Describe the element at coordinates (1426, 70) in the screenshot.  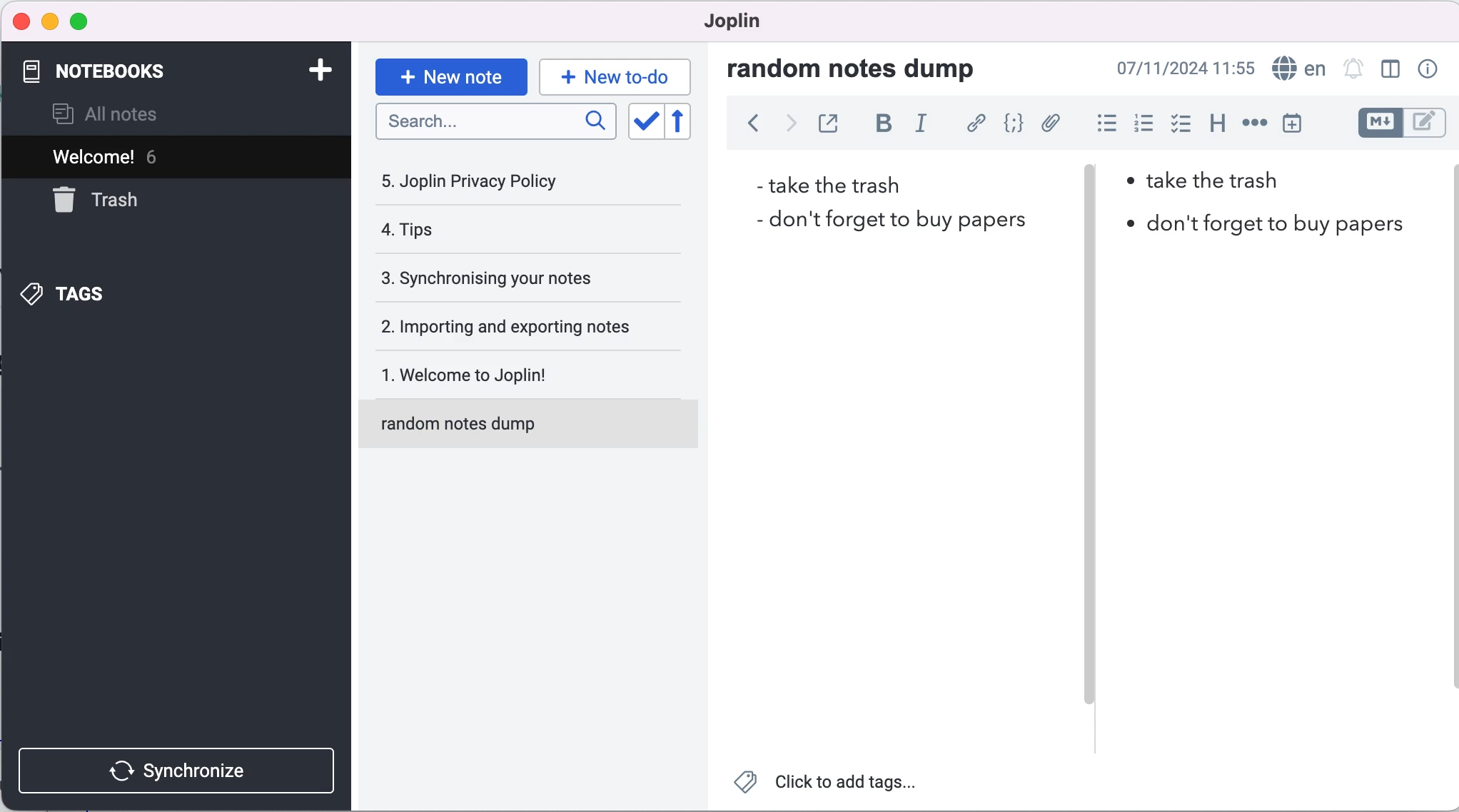
I see `note properties` at that location.